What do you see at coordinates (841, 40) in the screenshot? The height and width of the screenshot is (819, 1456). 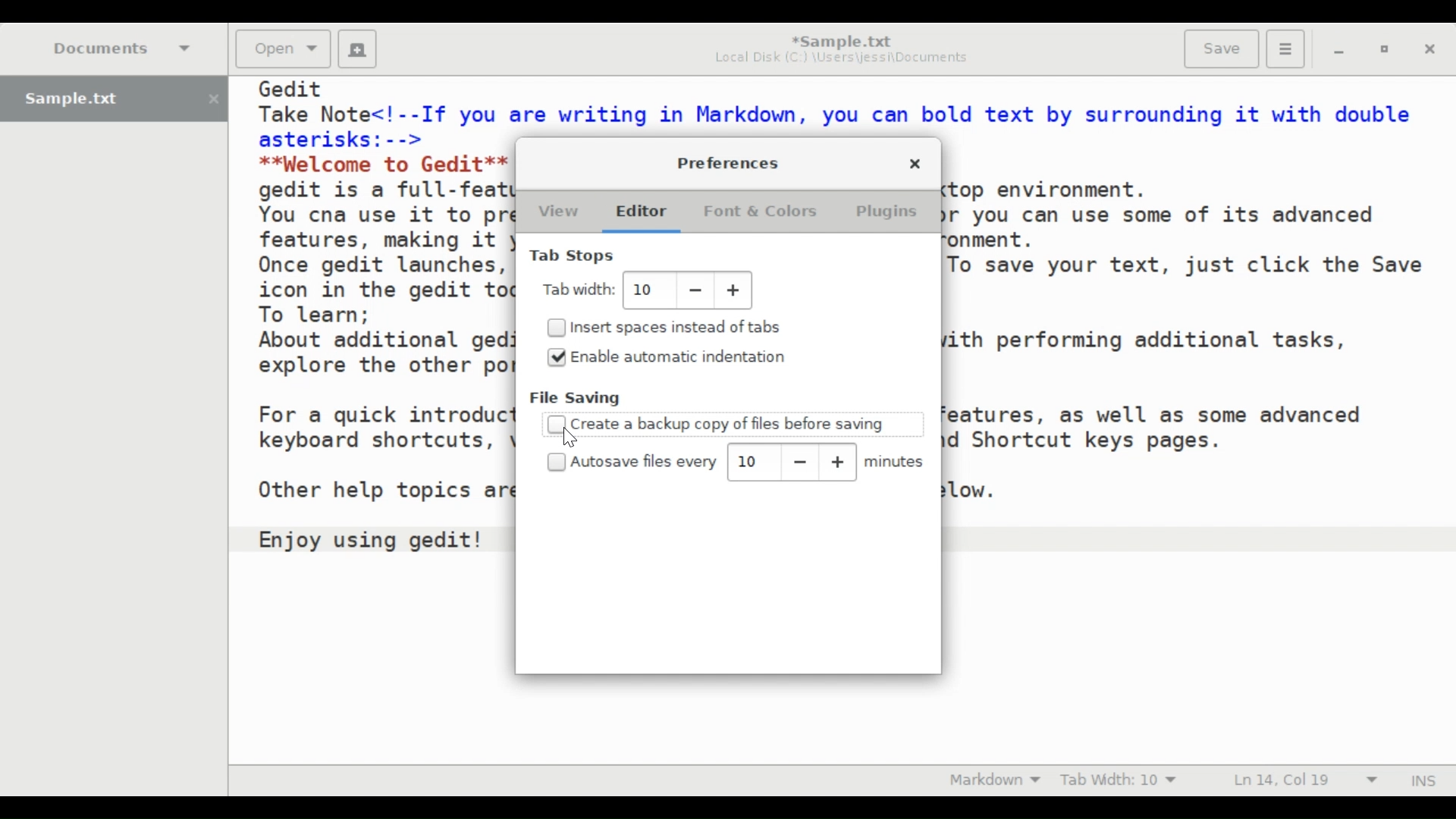 I see `*Sample.txt` at bounding box center [841, 40].